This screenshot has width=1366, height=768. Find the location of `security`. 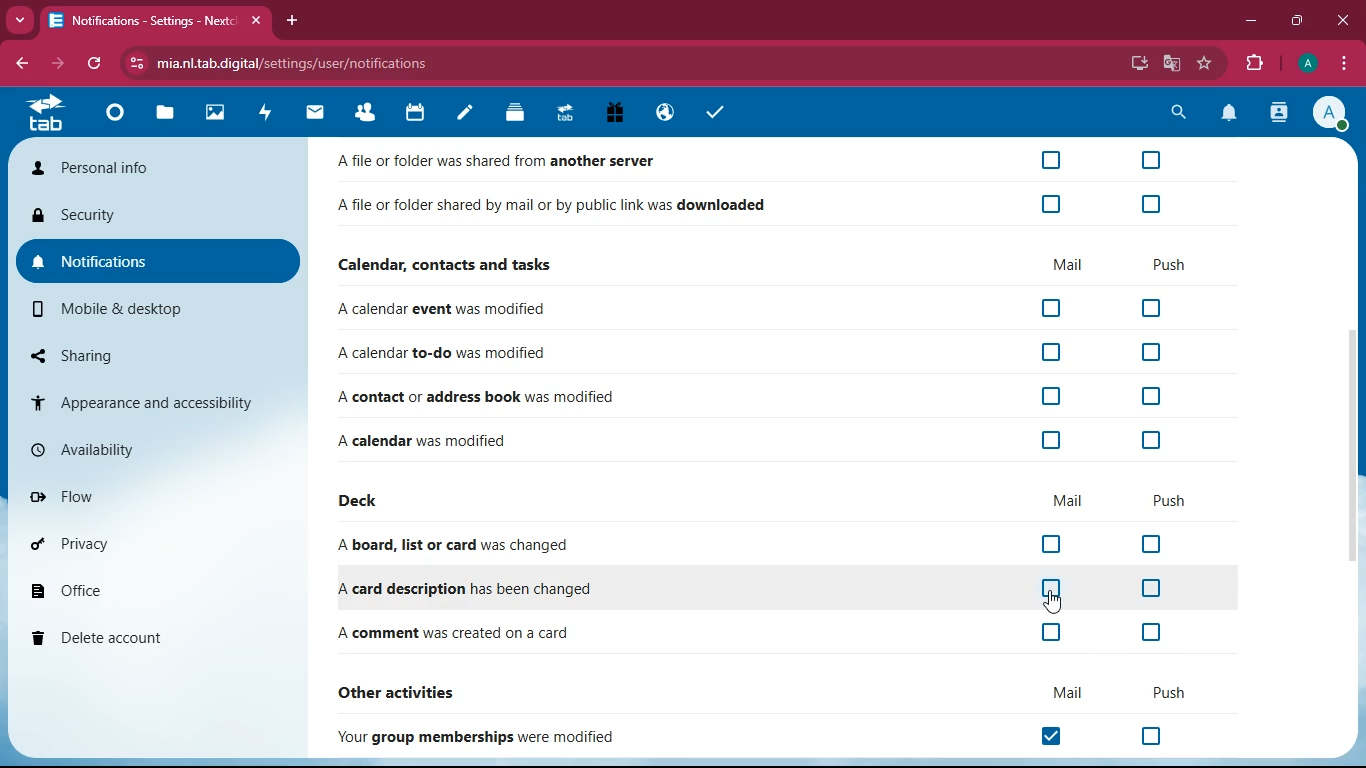

security is located at coordinates (160, 219).